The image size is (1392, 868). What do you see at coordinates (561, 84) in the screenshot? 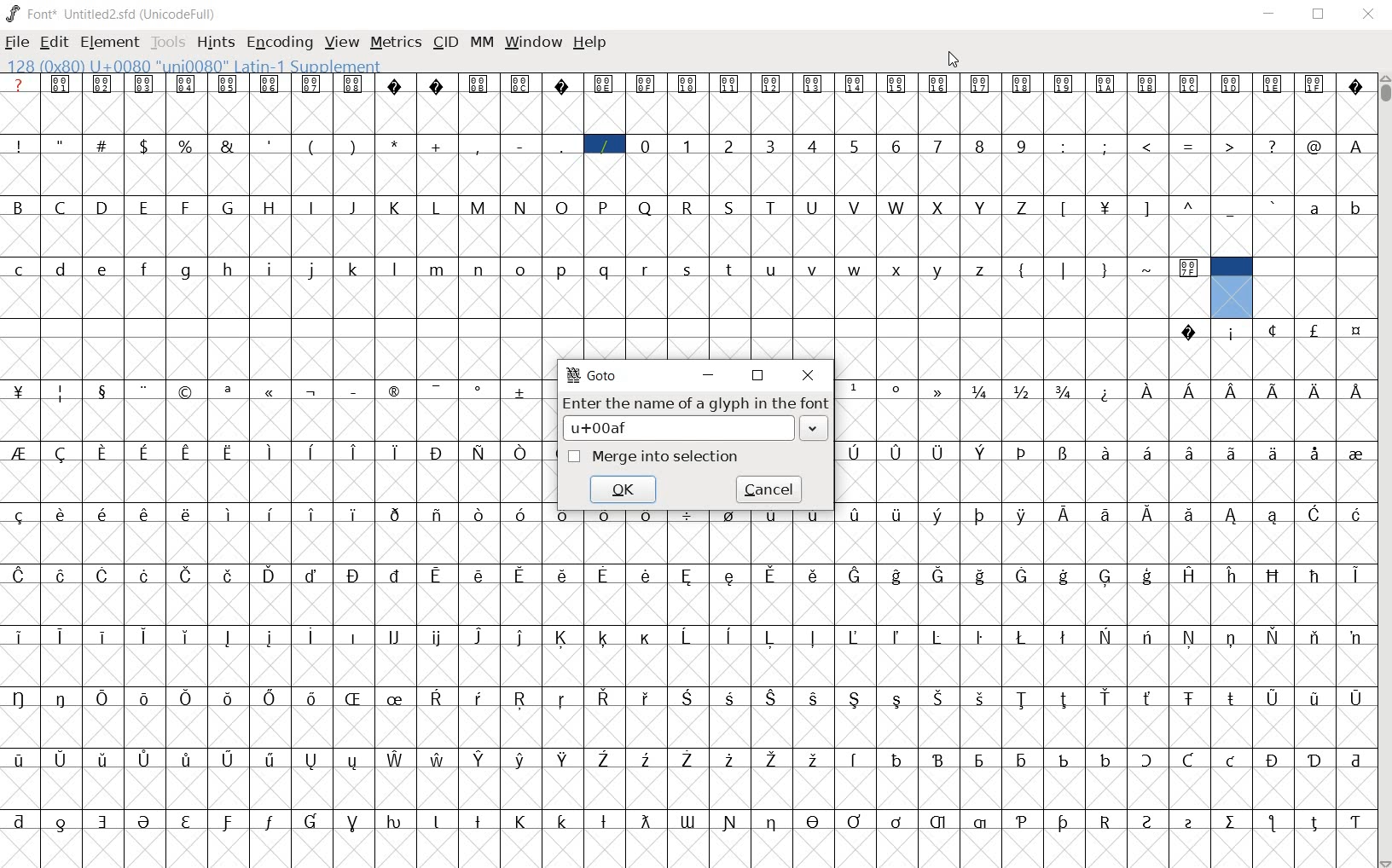
I see `Symbol` at bounding box center [561, 84].